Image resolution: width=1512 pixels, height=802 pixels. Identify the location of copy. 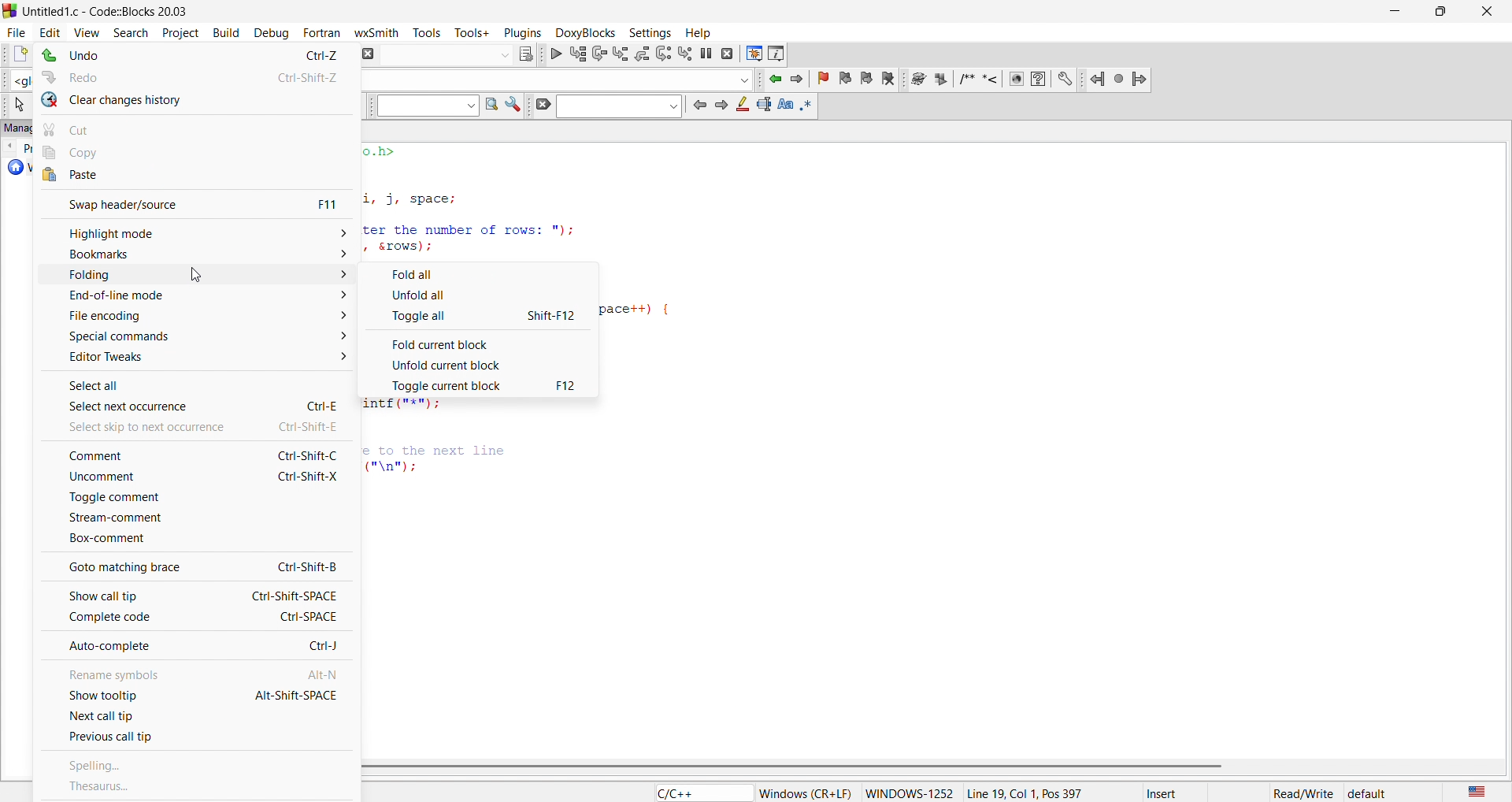
(200, 152).